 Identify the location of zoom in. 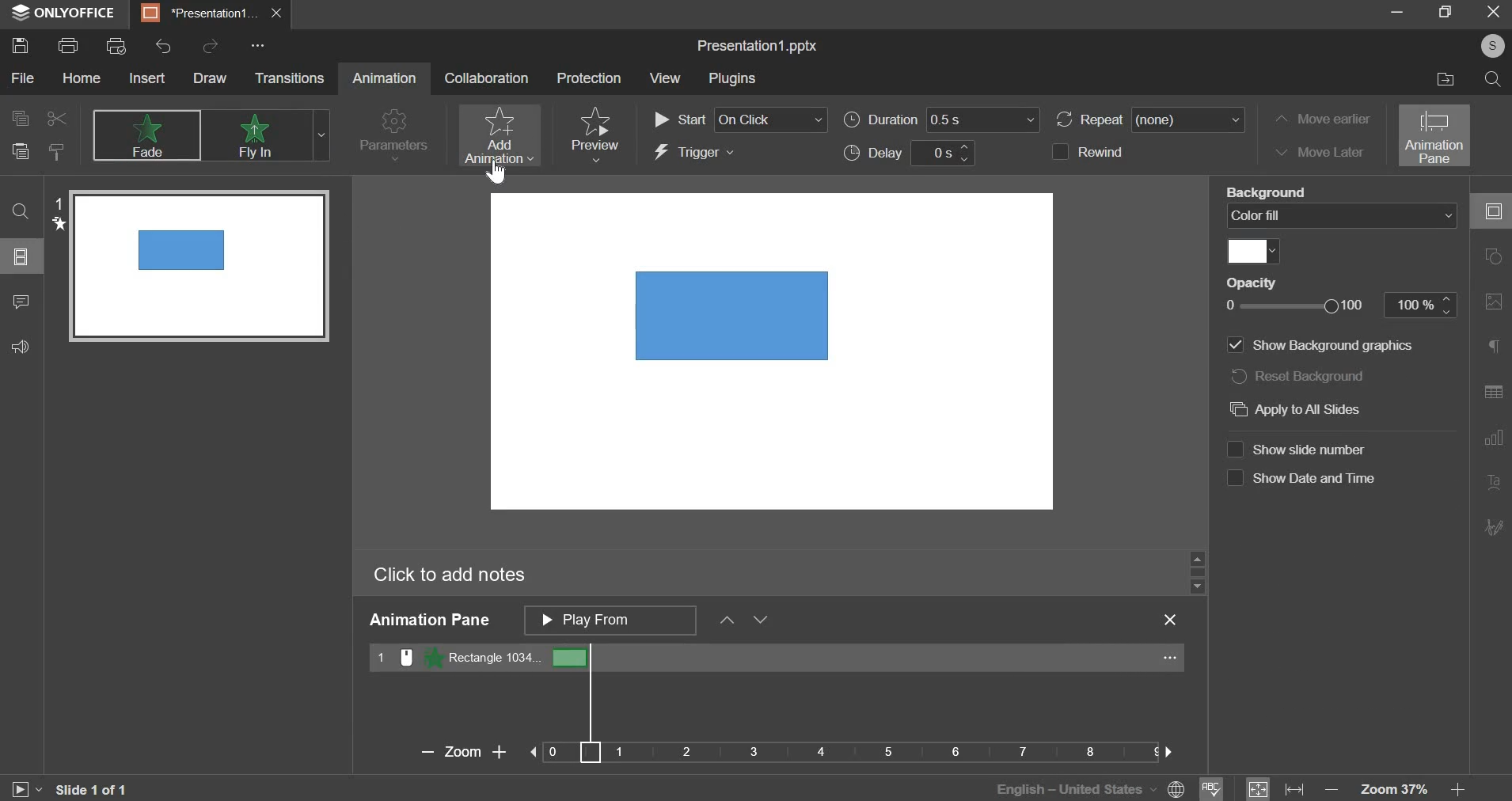
(1461, 788).